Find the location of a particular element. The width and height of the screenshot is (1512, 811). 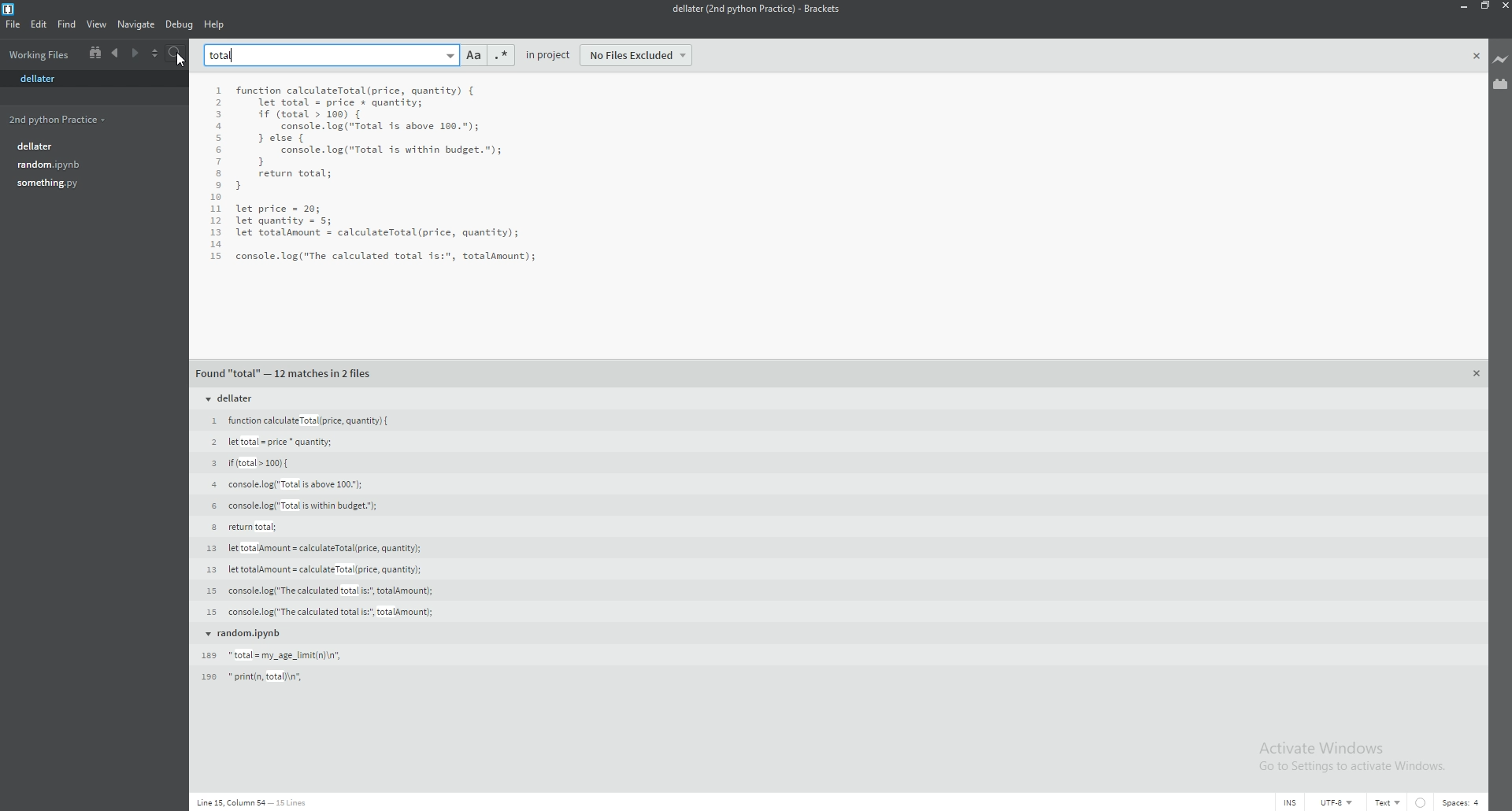

select is located at coordinates (155, 54).